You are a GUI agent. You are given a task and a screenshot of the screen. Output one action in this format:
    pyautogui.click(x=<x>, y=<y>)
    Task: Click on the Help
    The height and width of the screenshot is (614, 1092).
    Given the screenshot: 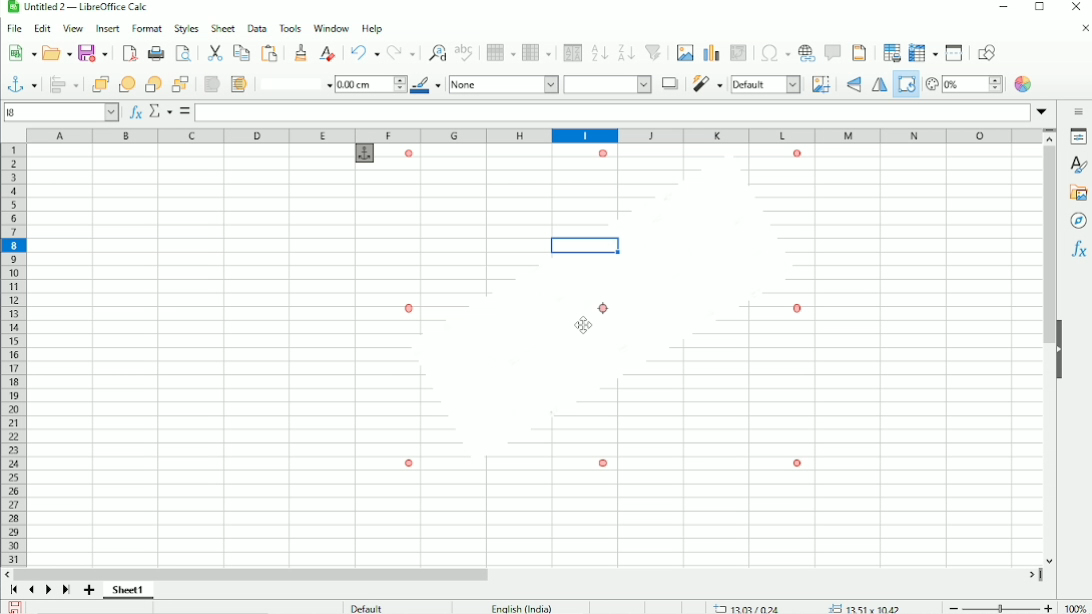 What is the action you would take?
    pyautogui.click(x=373, y=27)
    